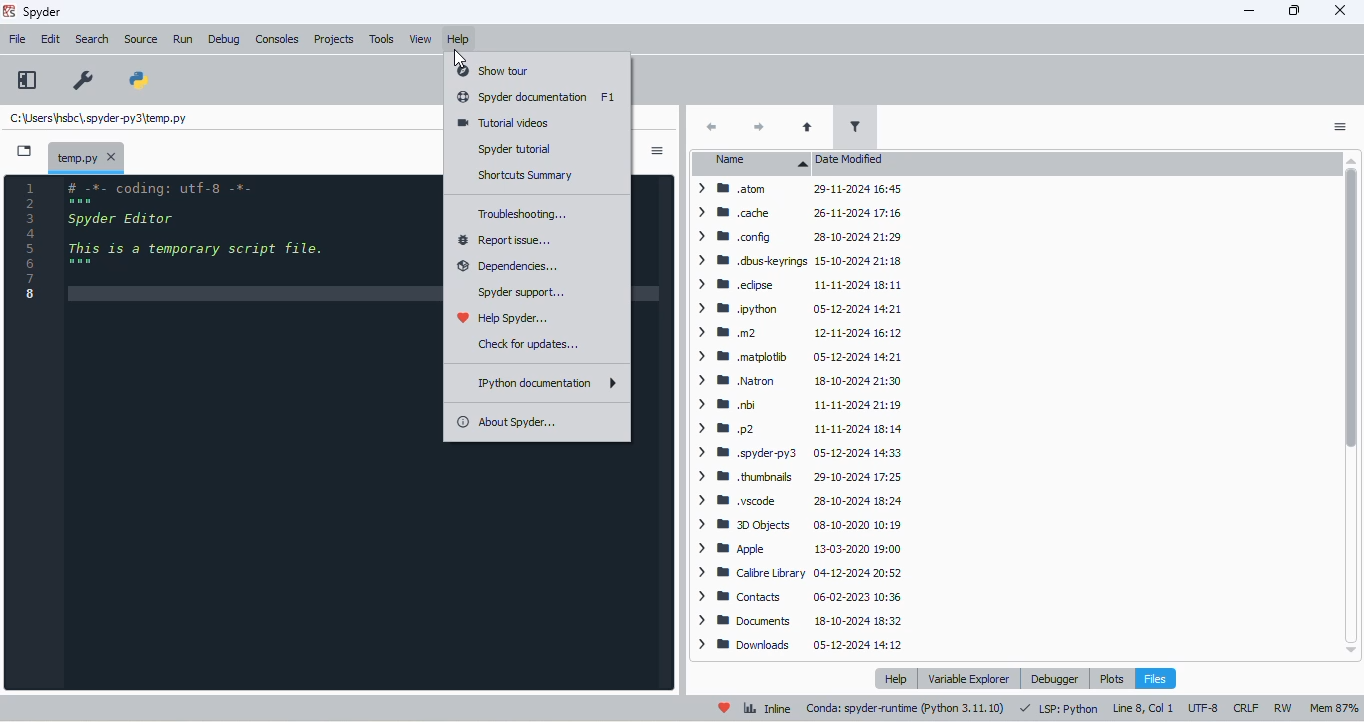 The width and height of the screenshot is (1364, 722). Describe the element at coordinates (799, 261) in the screenshot. I see `> W dbuskeyrings 15-10-2024 21:18` at that location.